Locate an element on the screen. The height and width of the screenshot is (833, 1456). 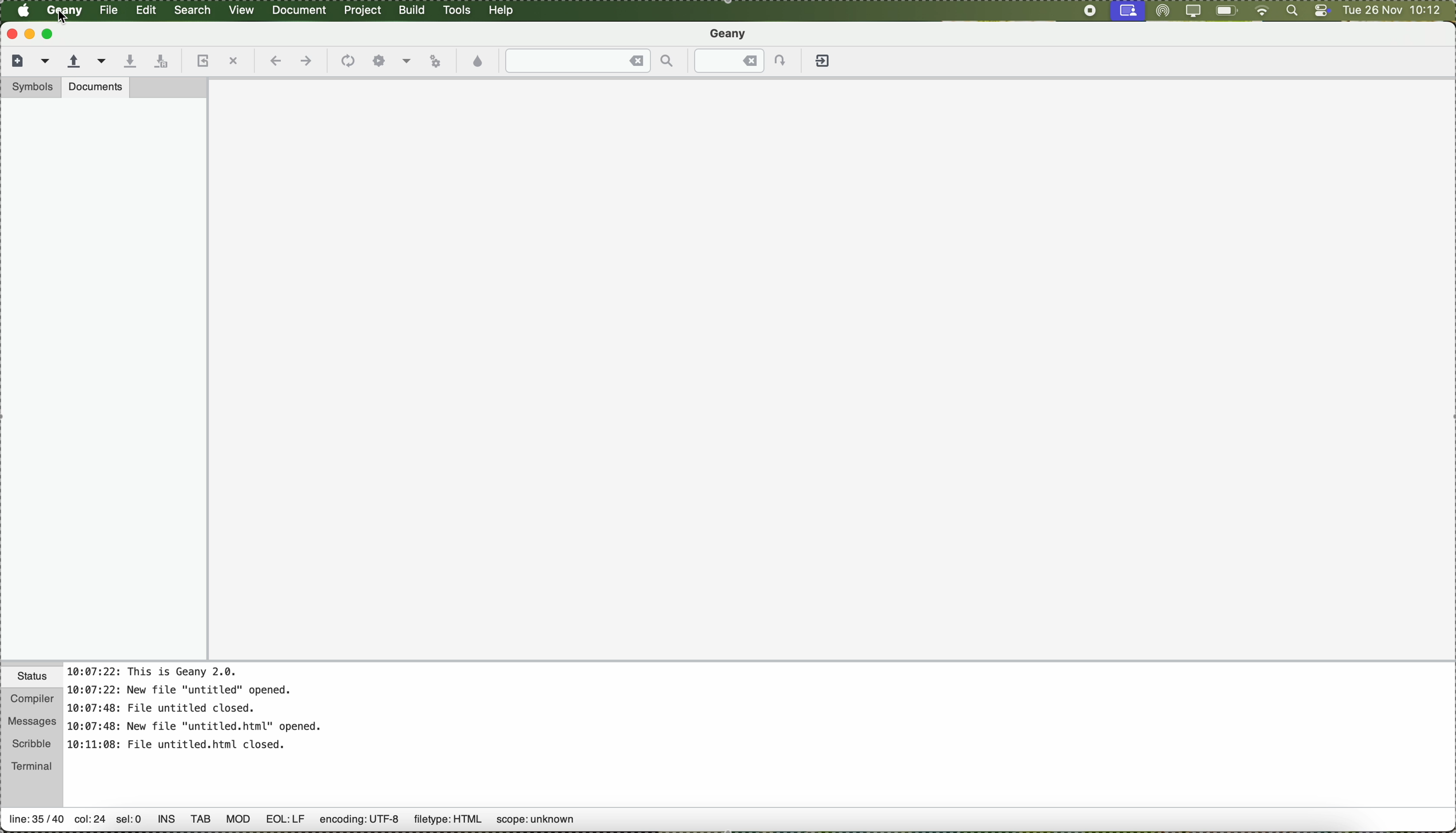
side bar is located at coordinates (105, 379).